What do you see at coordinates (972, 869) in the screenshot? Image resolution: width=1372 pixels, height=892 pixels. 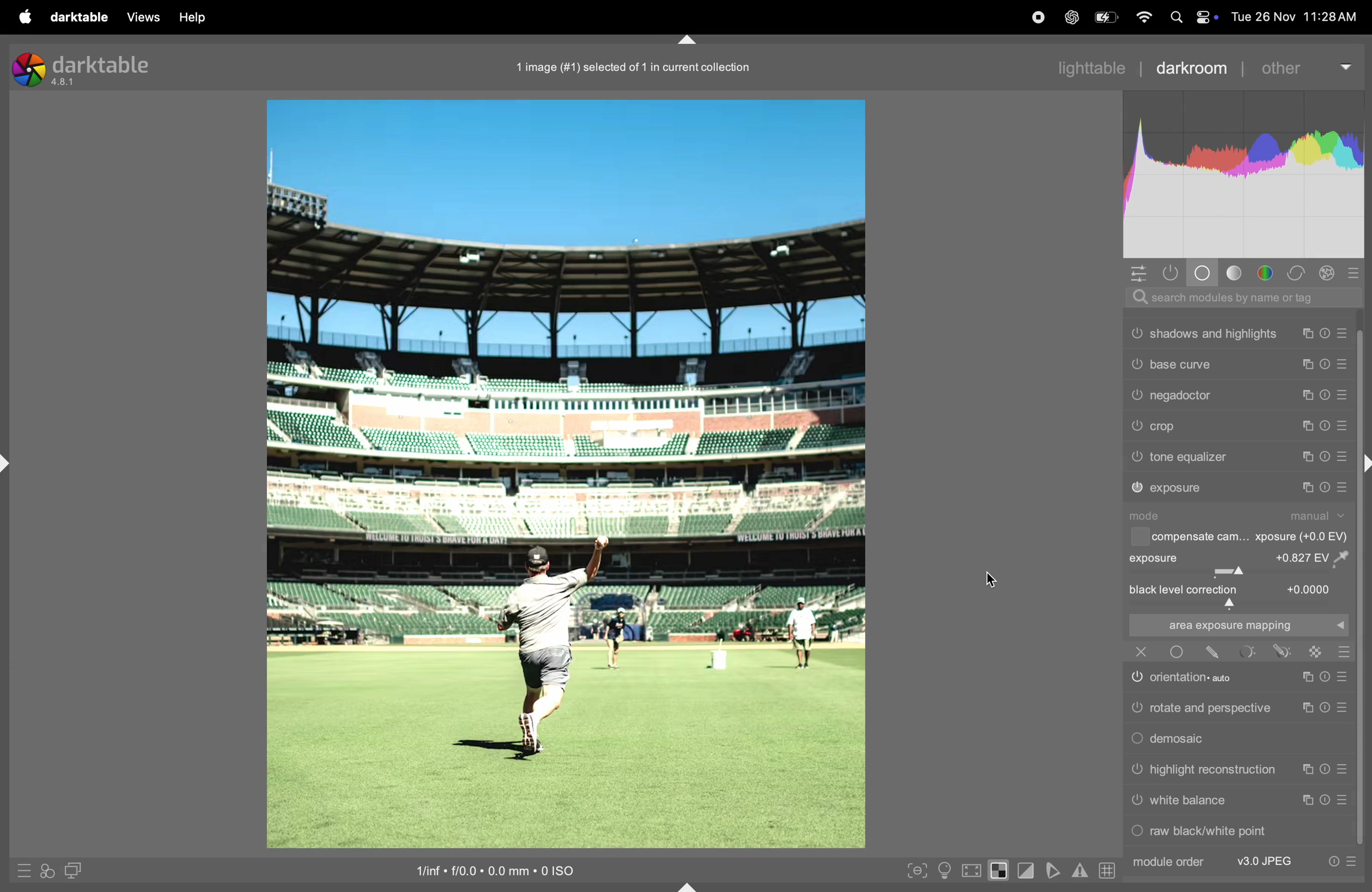 I see `toggle high qualiry processing` at bounding box center [972, 869].